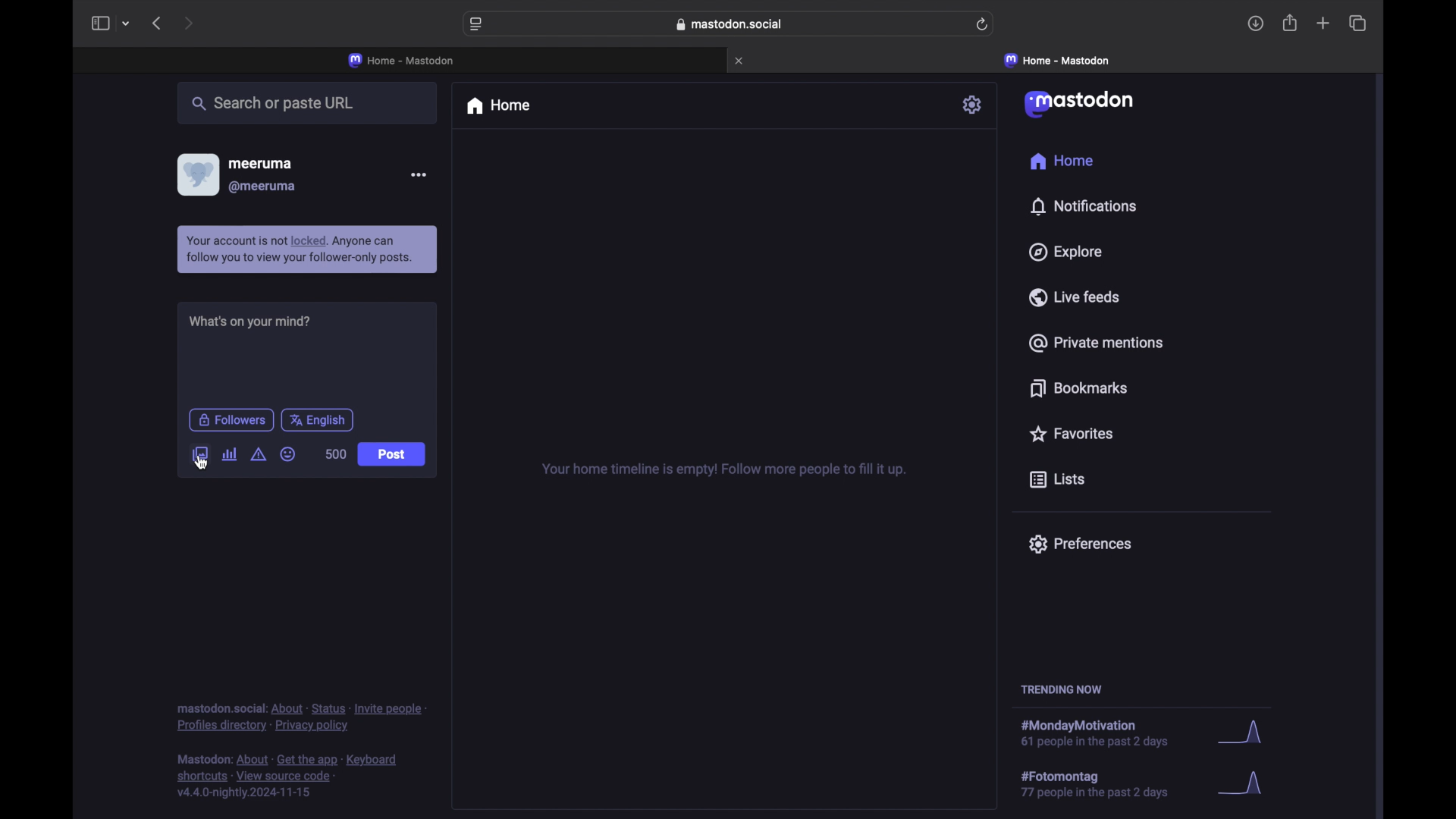 The width and height of the screenshot is (1456, 819). What do you see at coordinates (983, 25) in the screenshot?
I see `refresh` at bounding box center [983, 25].